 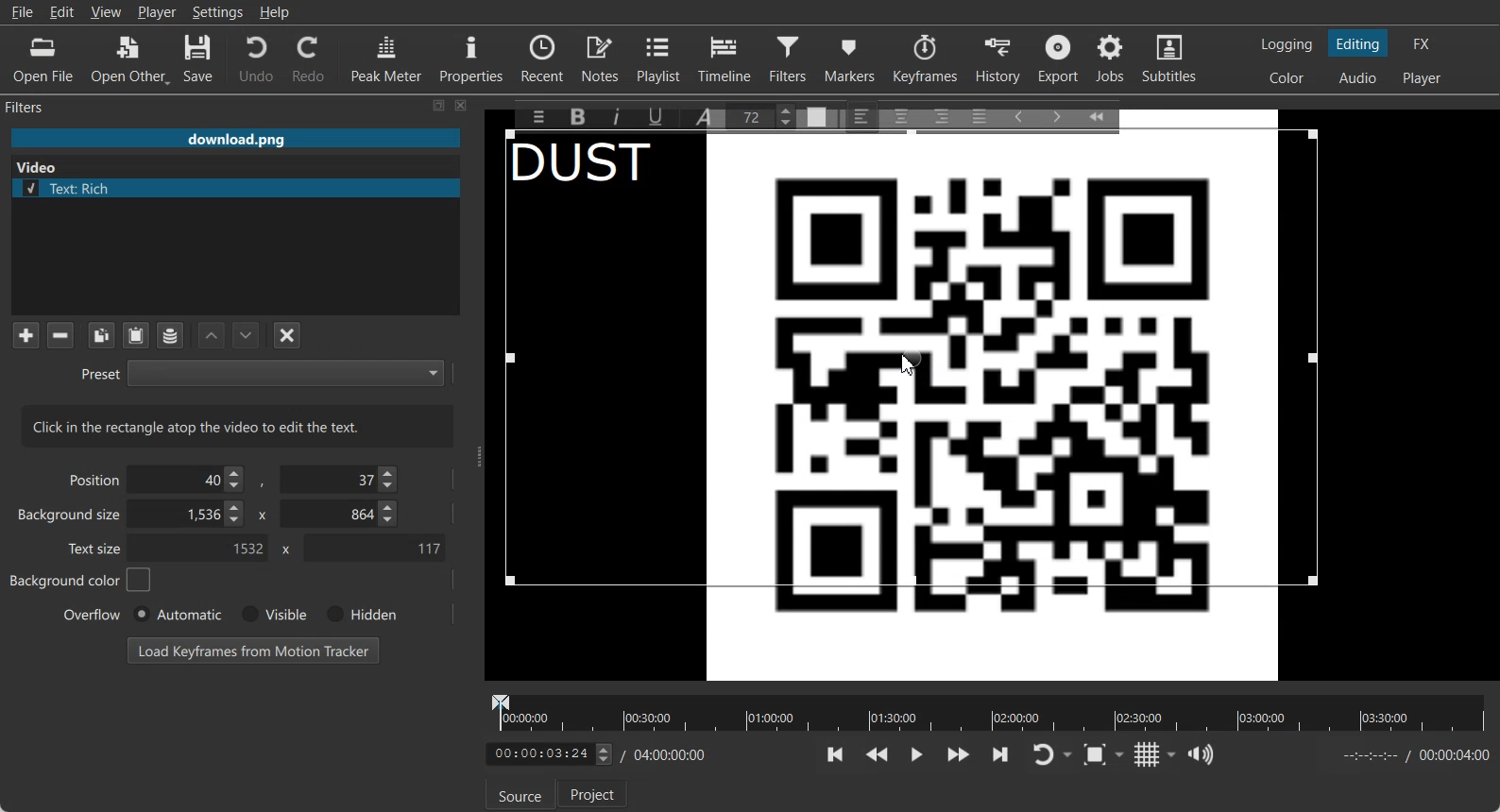 I want to click on Text Size, so click(x=765, y=115).